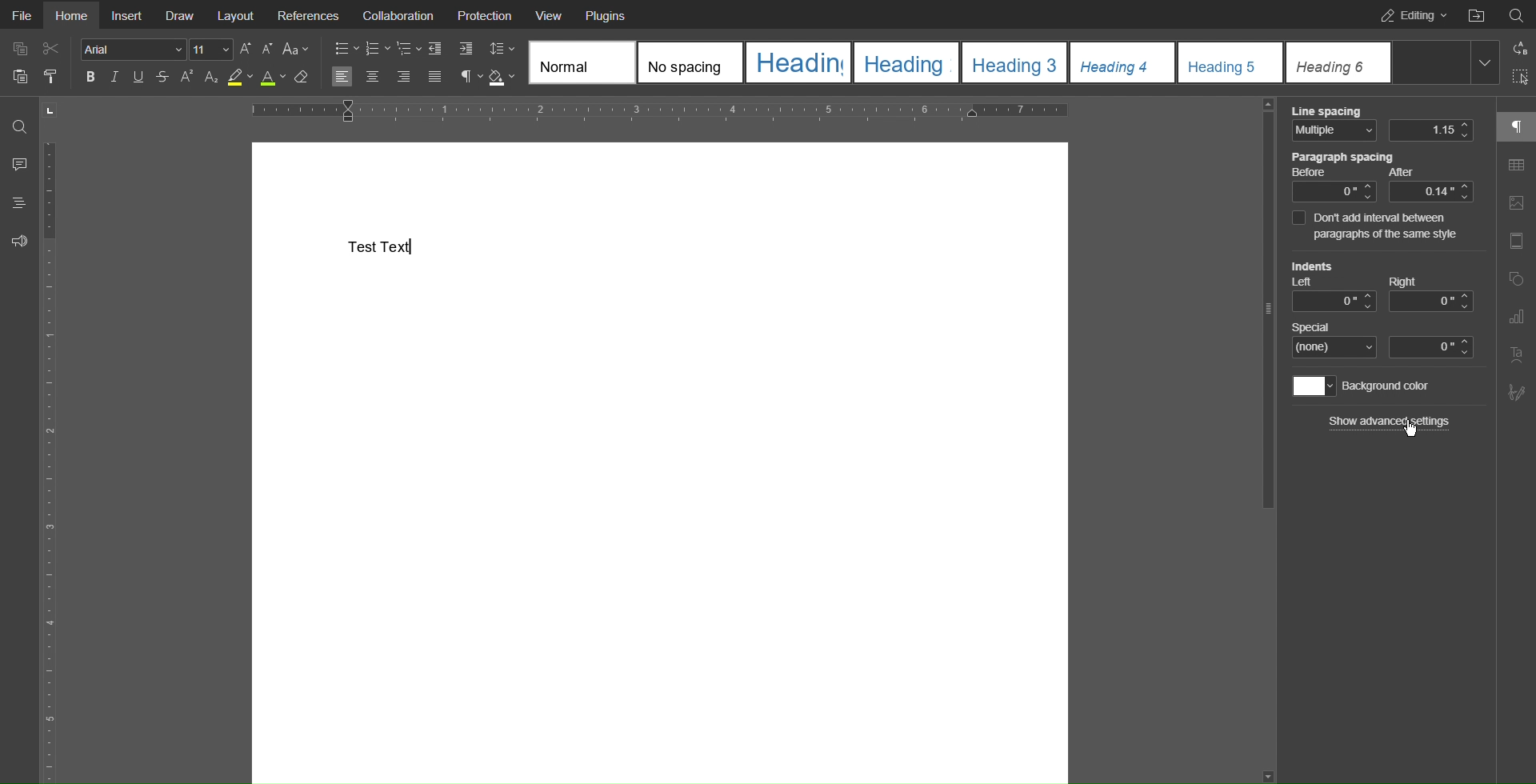 The height and width of the screenshot is (784, 1536). What do you see at coordinates (309, 14) in the screenshot?
I see `References` at bounding box center [309, 14].